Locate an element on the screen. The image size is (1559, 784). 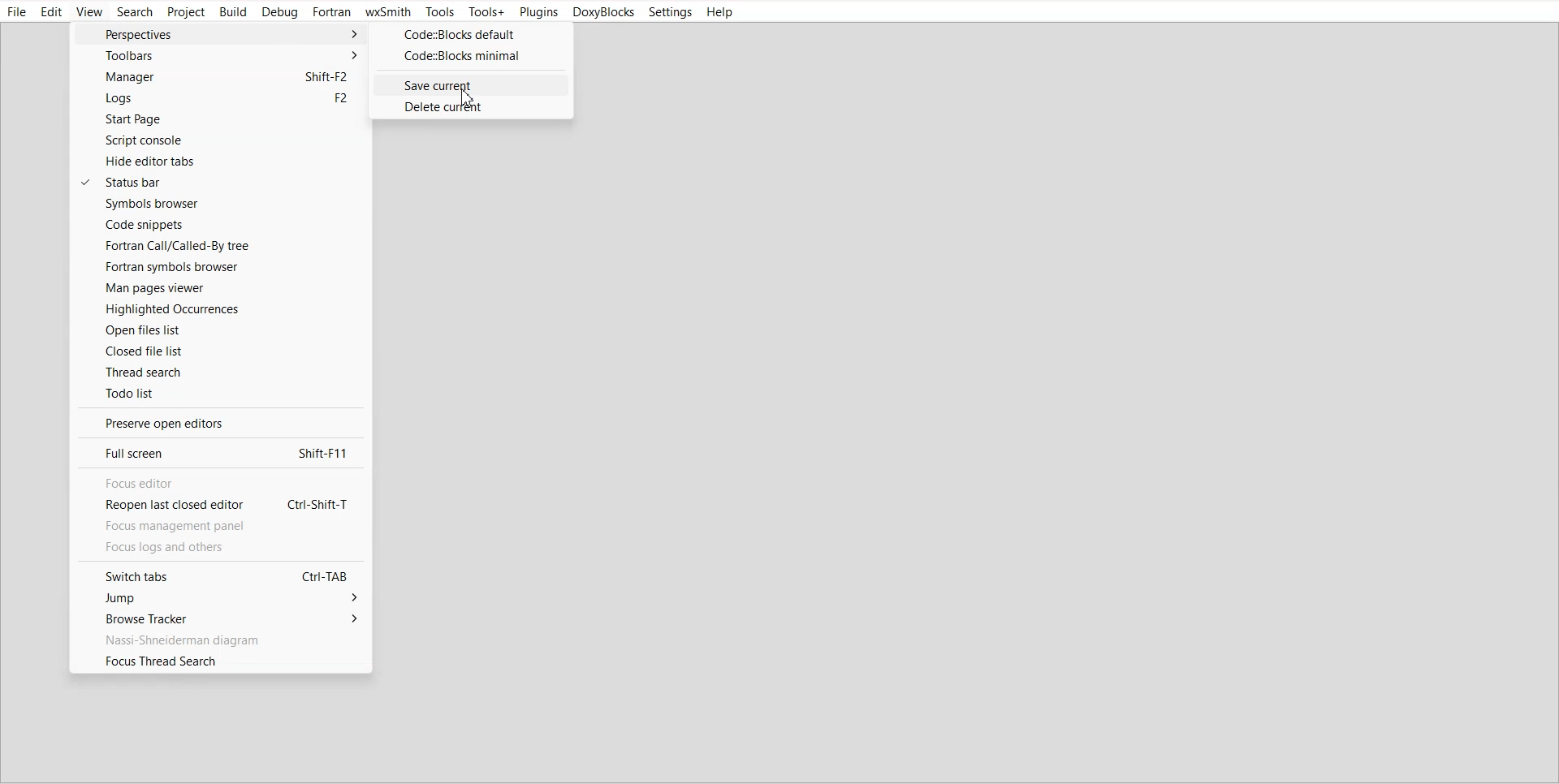
Nassi-Shneiderman diagram is located at coordinates (218, 639).